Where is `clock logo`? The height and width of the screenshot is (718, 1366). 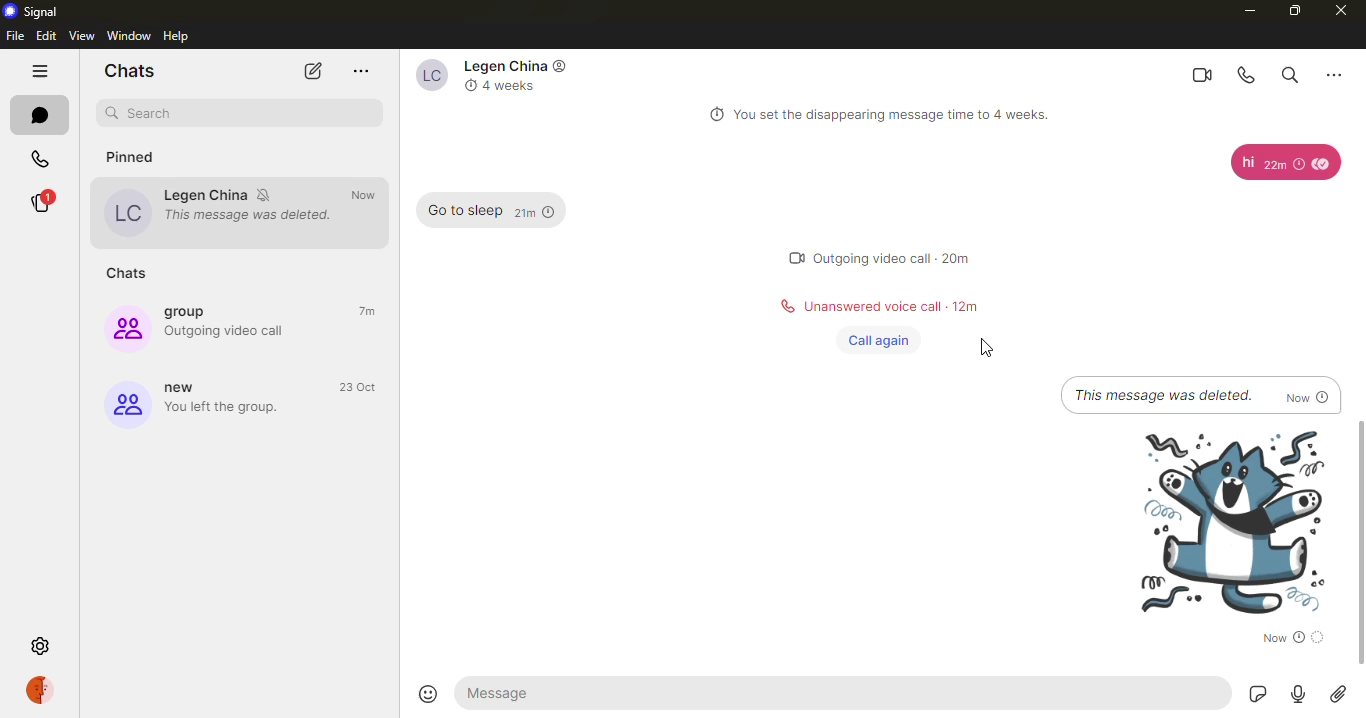
clock logo is located at coordinates (1303, 165).